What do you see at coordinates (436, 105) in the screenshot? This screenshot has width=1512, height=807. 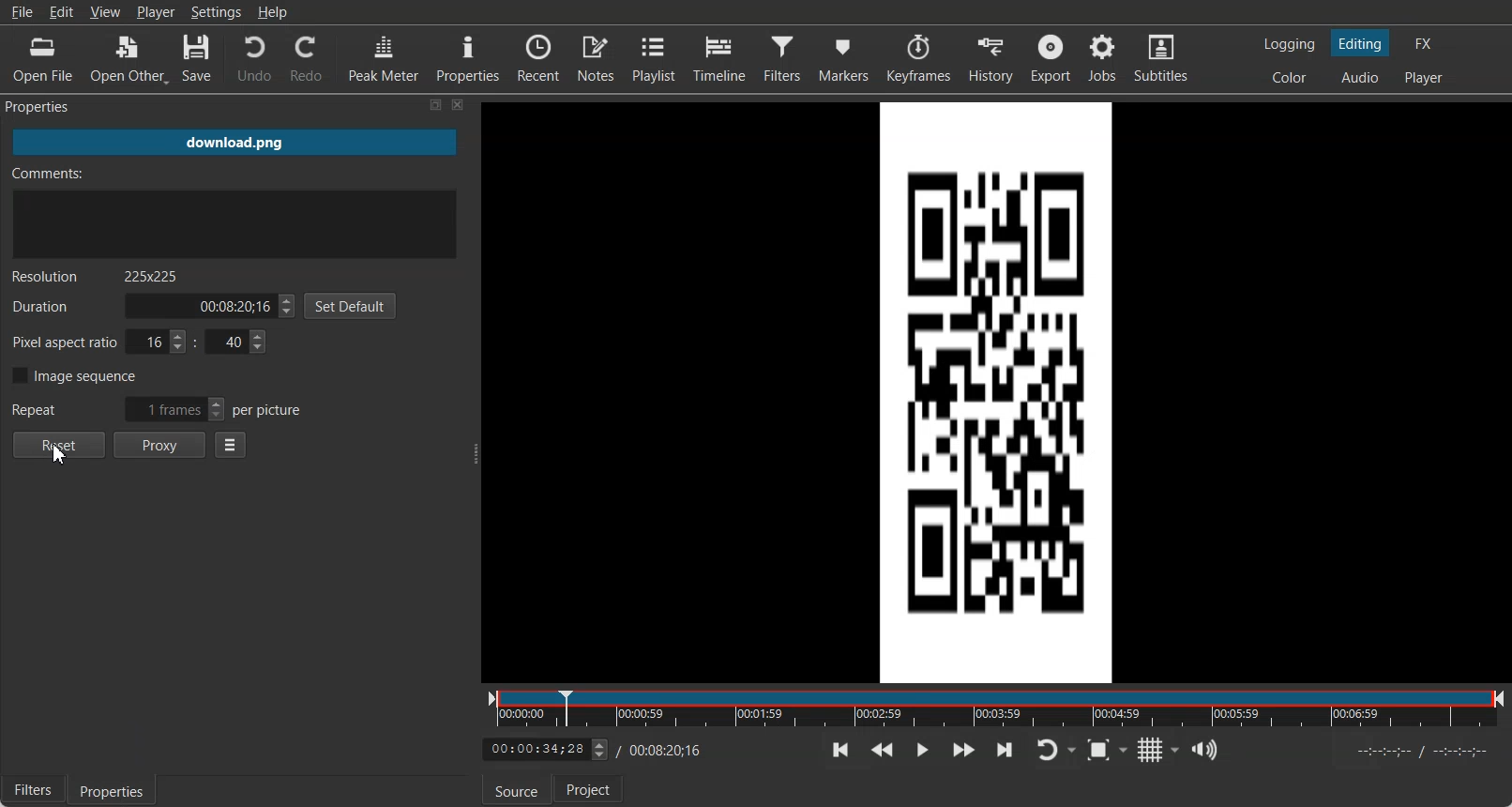 I see `Maximize` at bounding box center [436, 105].